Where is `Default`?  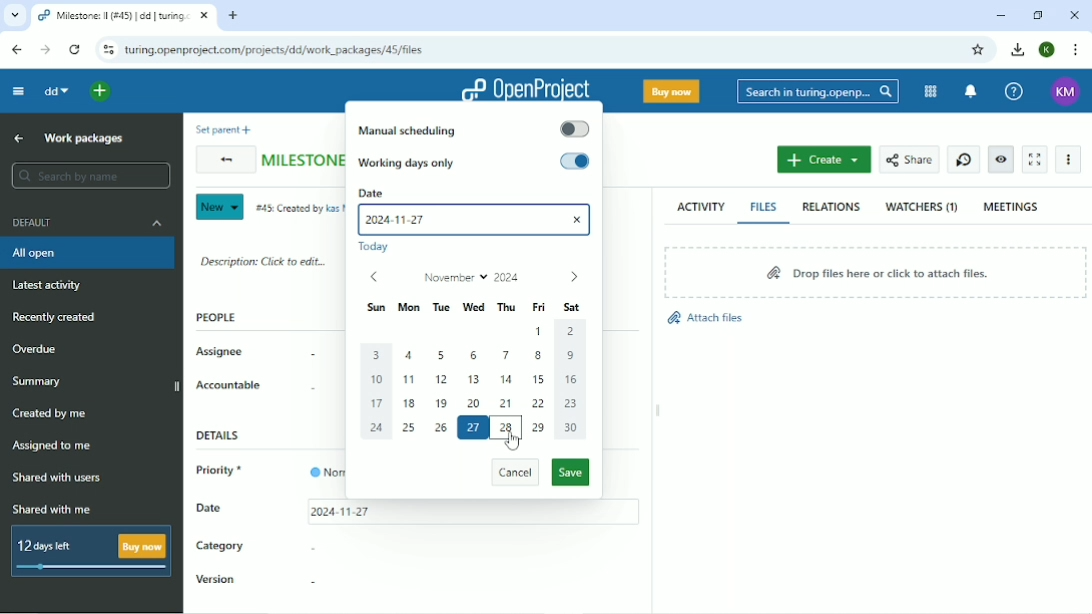 Default is located at coordinates (91, 222).